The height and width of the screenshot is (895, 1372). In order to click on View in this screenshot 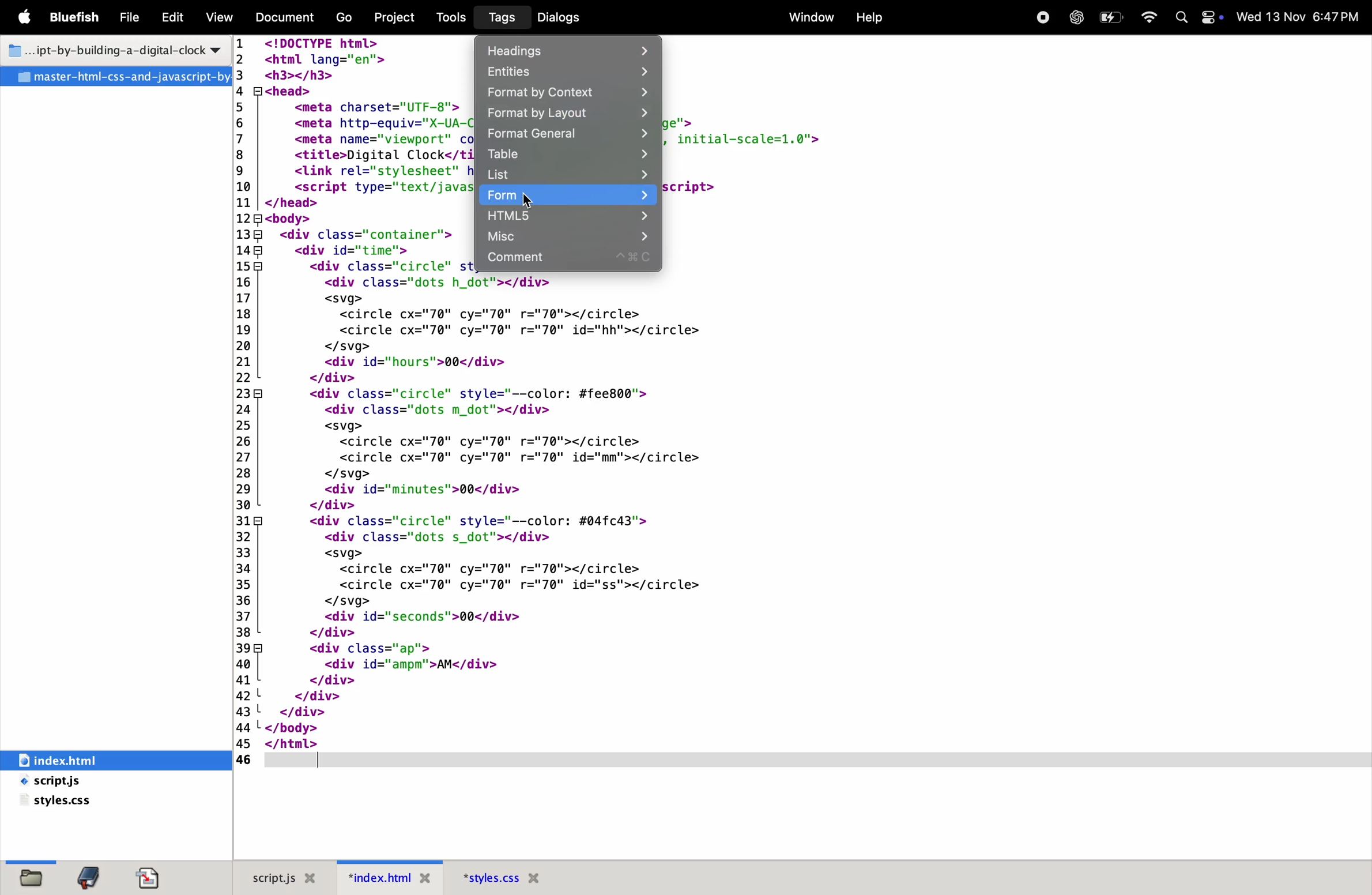, I will do `click(220, 17)`.